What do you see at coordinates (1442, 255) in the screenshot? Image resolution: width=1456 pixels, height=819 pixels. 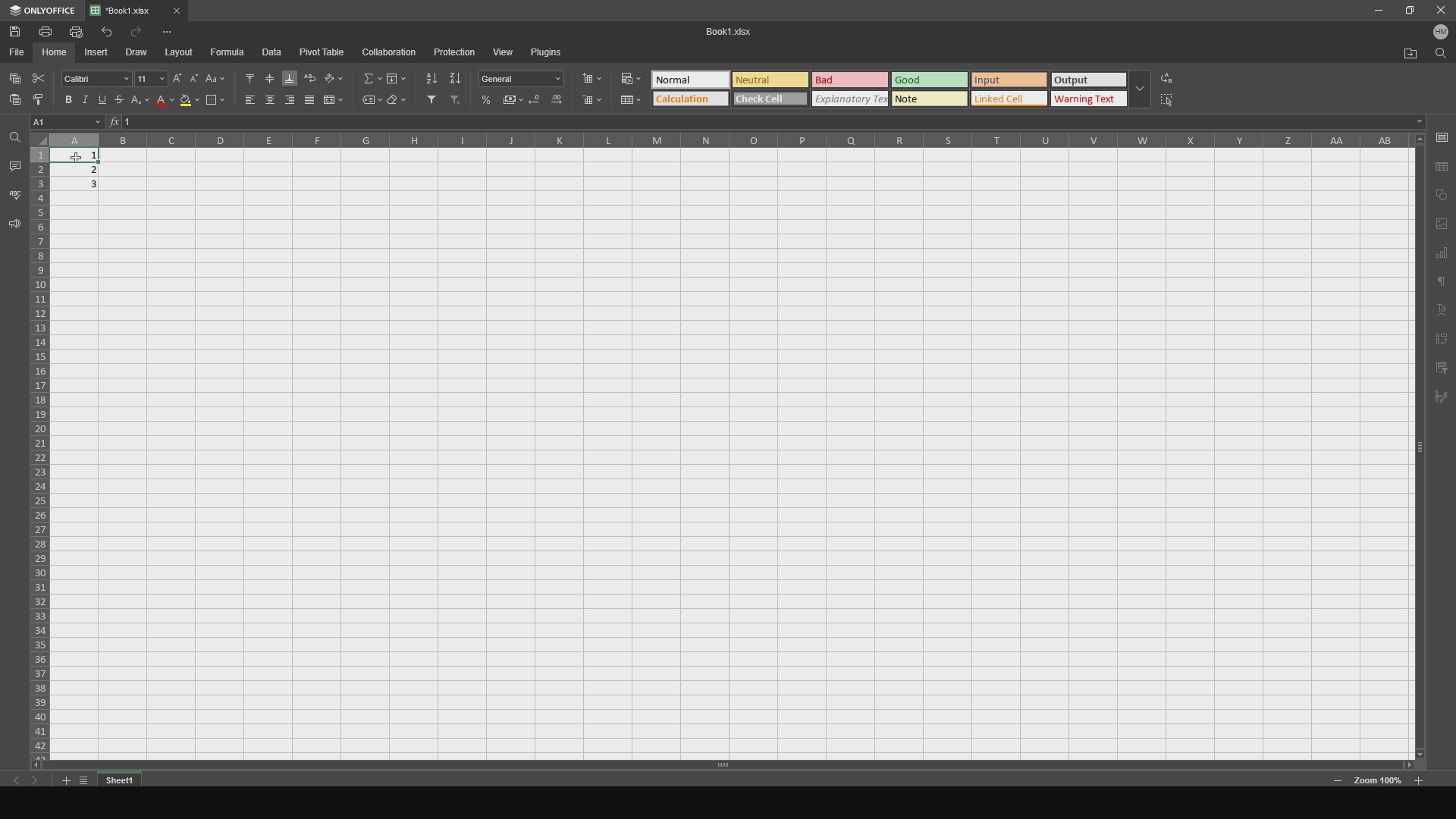 I see `chart` at bounding box center [1442, 255].